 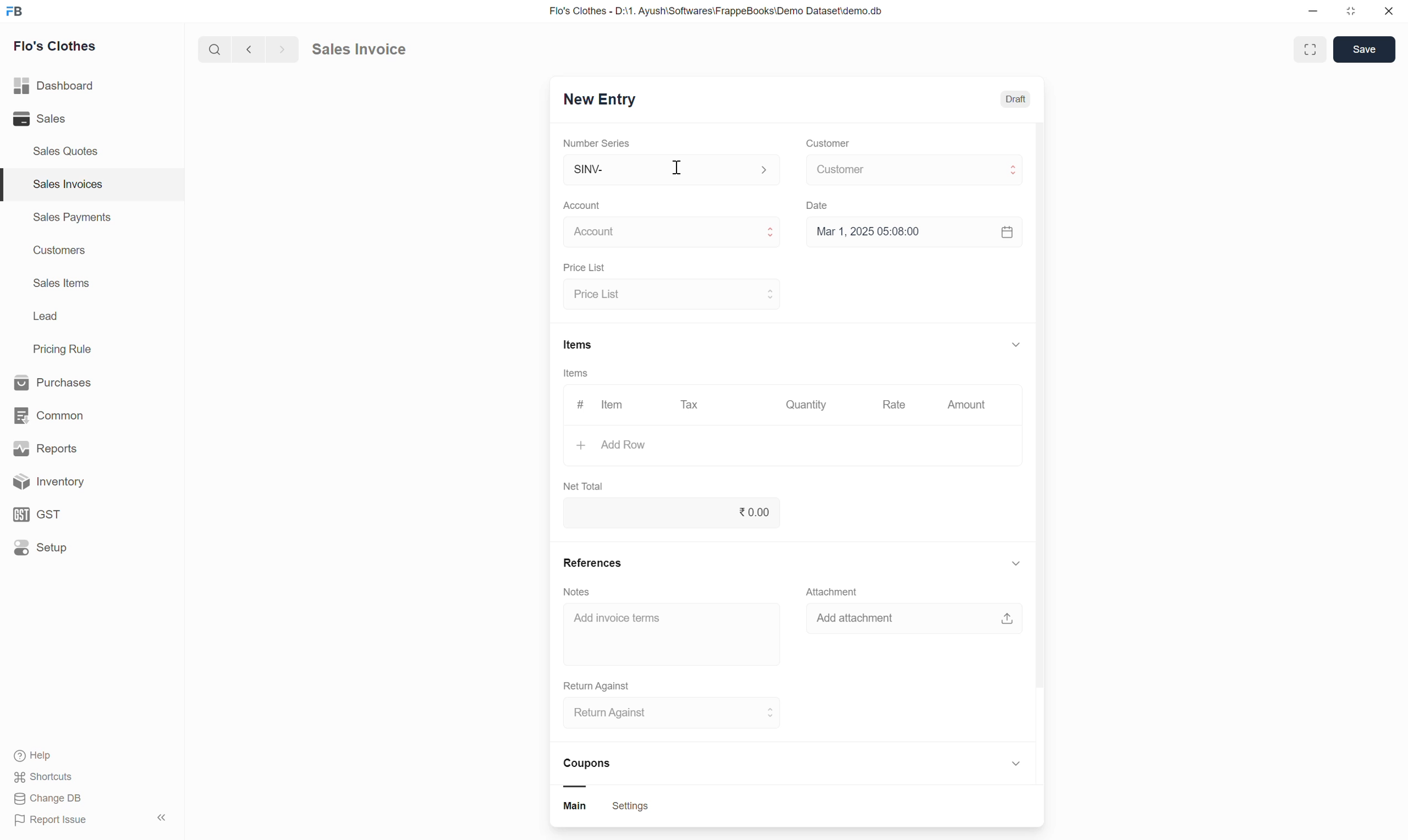 I want to click on Coupons, so click(x=593, y=772).